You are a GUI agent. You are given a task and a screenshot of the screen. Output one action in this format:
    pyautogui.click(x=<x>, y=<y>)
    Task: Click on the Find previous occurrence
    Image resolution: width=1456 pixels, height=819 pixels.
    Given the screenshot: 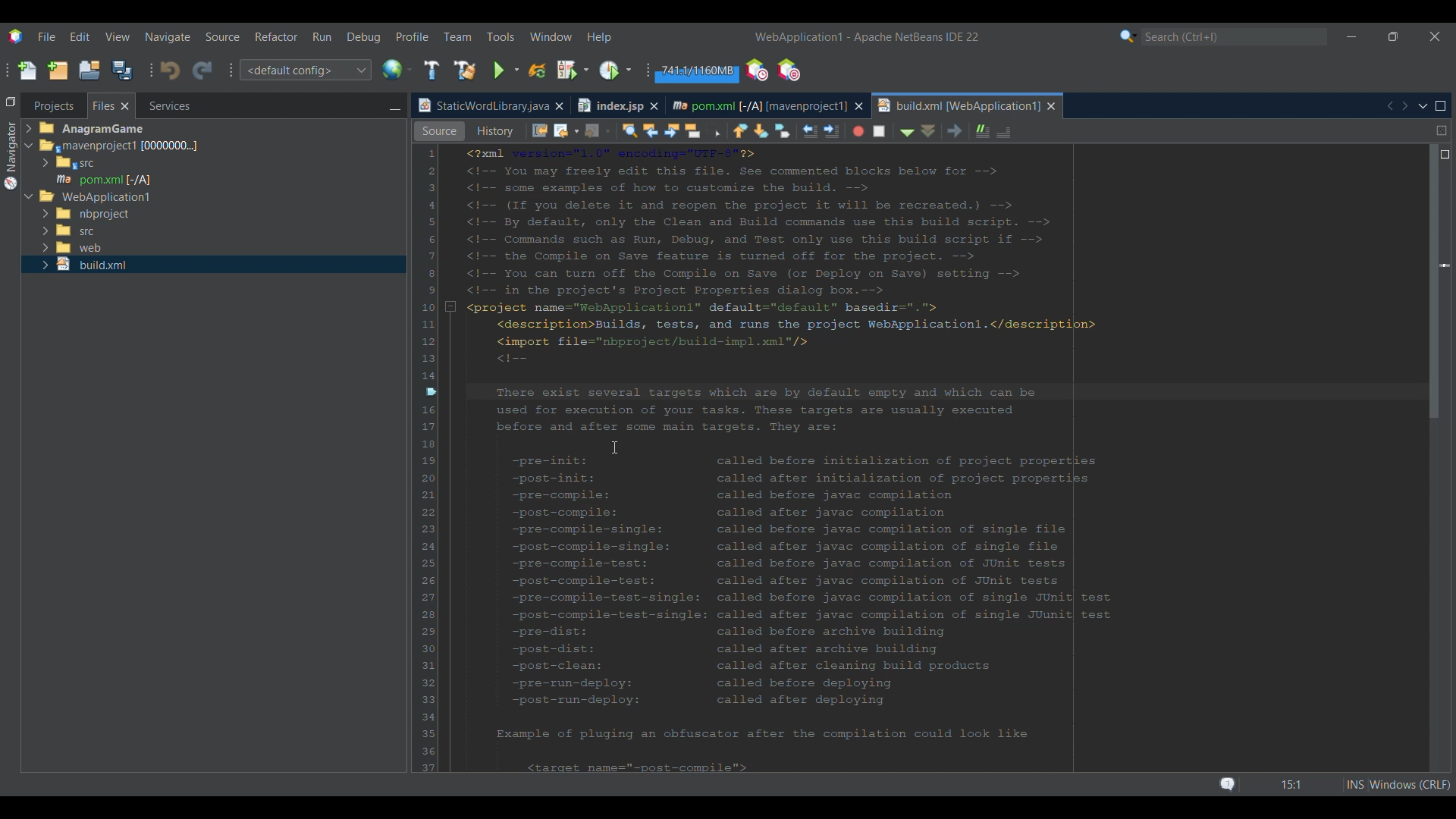 What is the action you would take?
    pyautogui.click(x=788, y=132)
    